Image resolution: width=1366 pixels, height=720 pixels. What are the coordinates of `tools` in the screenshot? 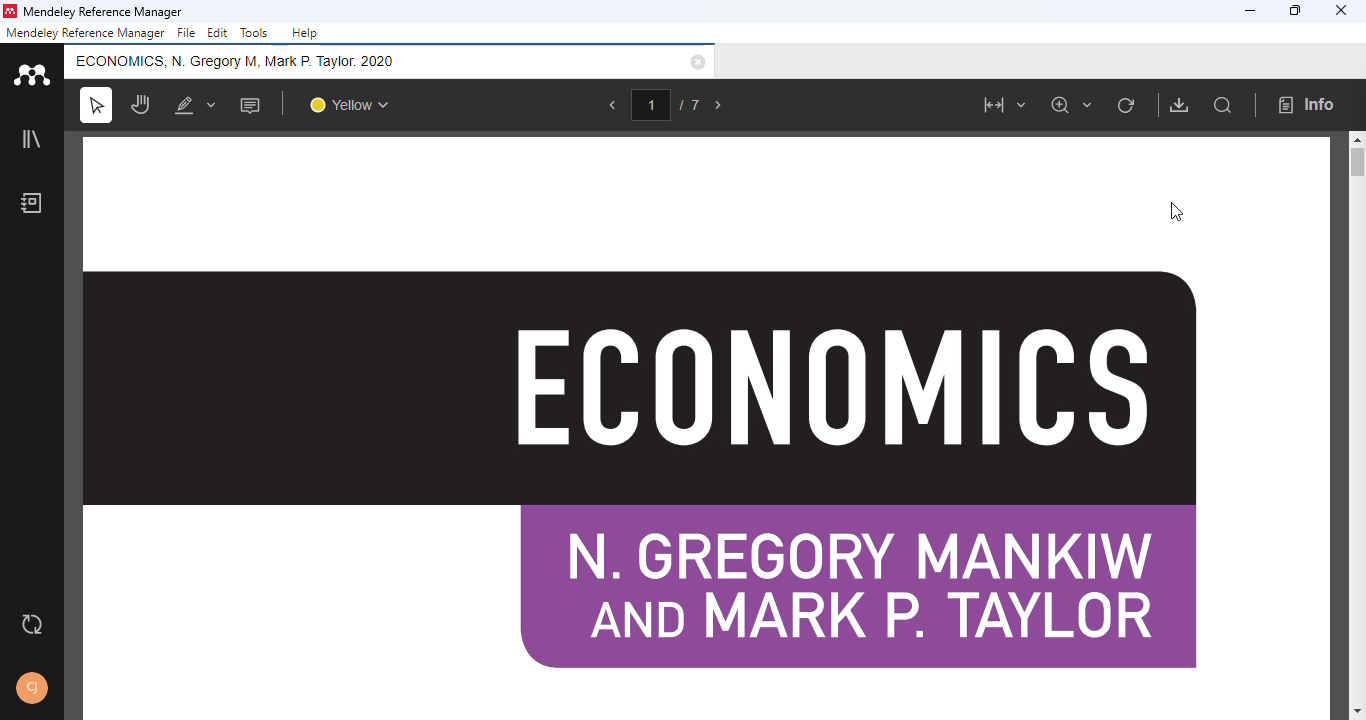 It's located at (254, 32).